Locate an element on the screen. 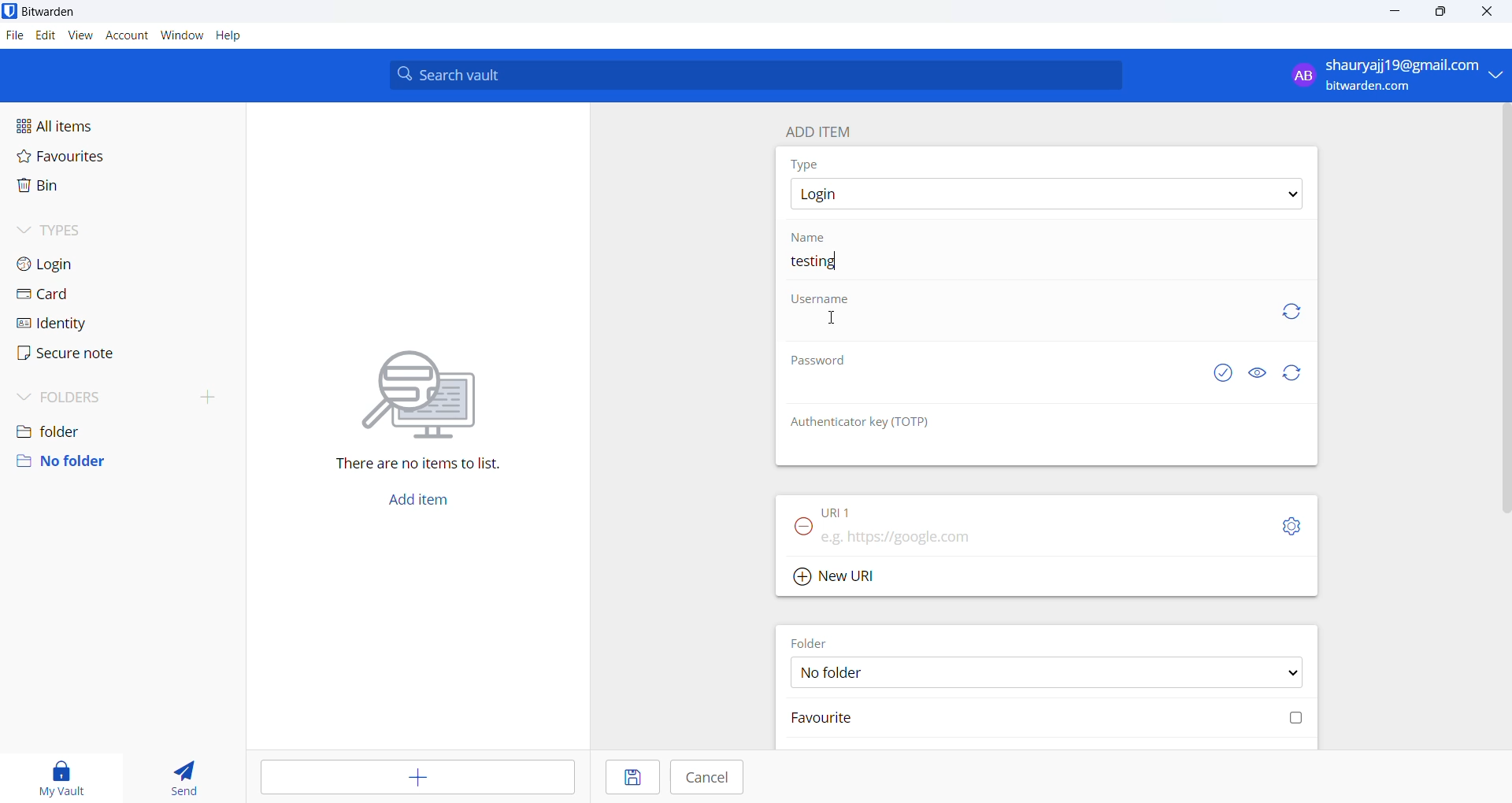  secure note is located at coordinates (80, 354).